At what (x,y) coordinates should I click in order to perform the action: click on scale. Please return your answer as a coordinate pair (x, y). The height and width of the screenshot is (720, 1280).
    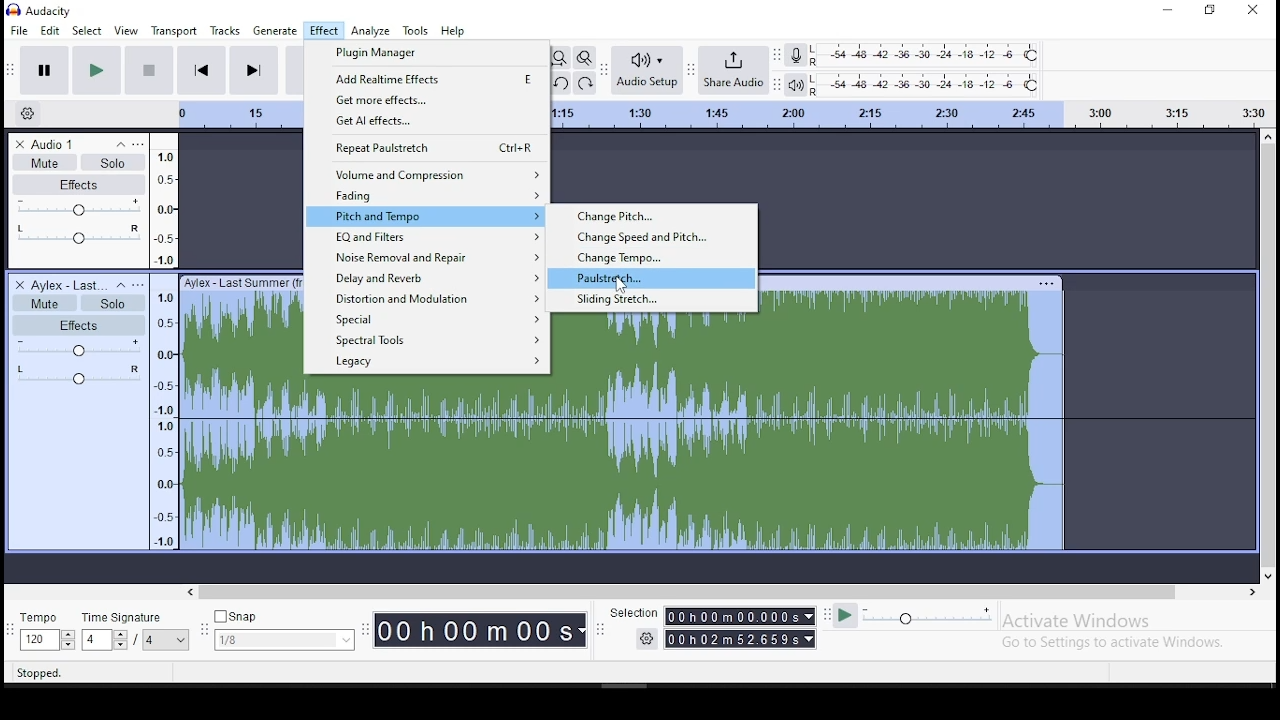
    Looking at the image, I should click on (164, 341).